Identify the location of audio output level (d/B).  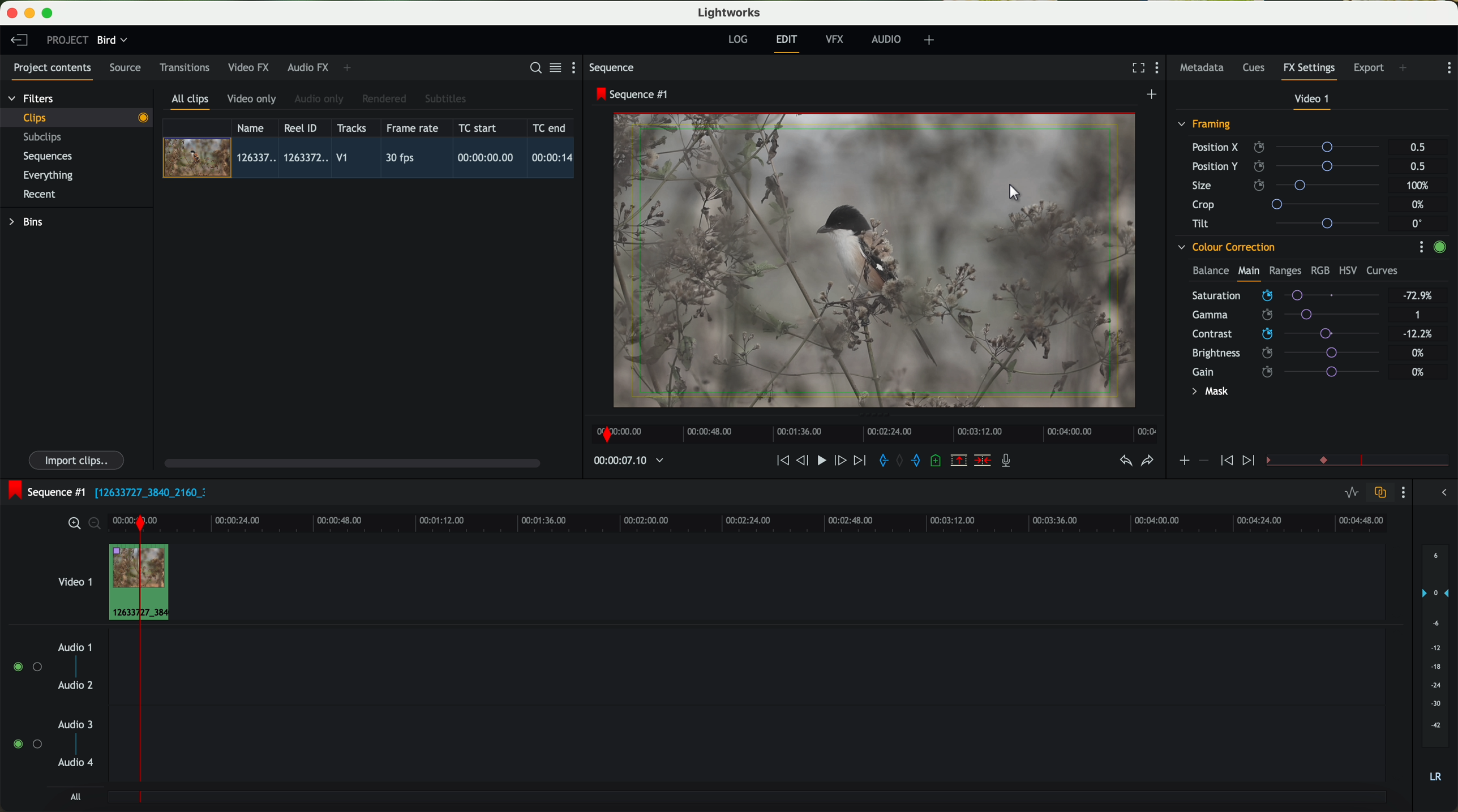
(1436, 667).